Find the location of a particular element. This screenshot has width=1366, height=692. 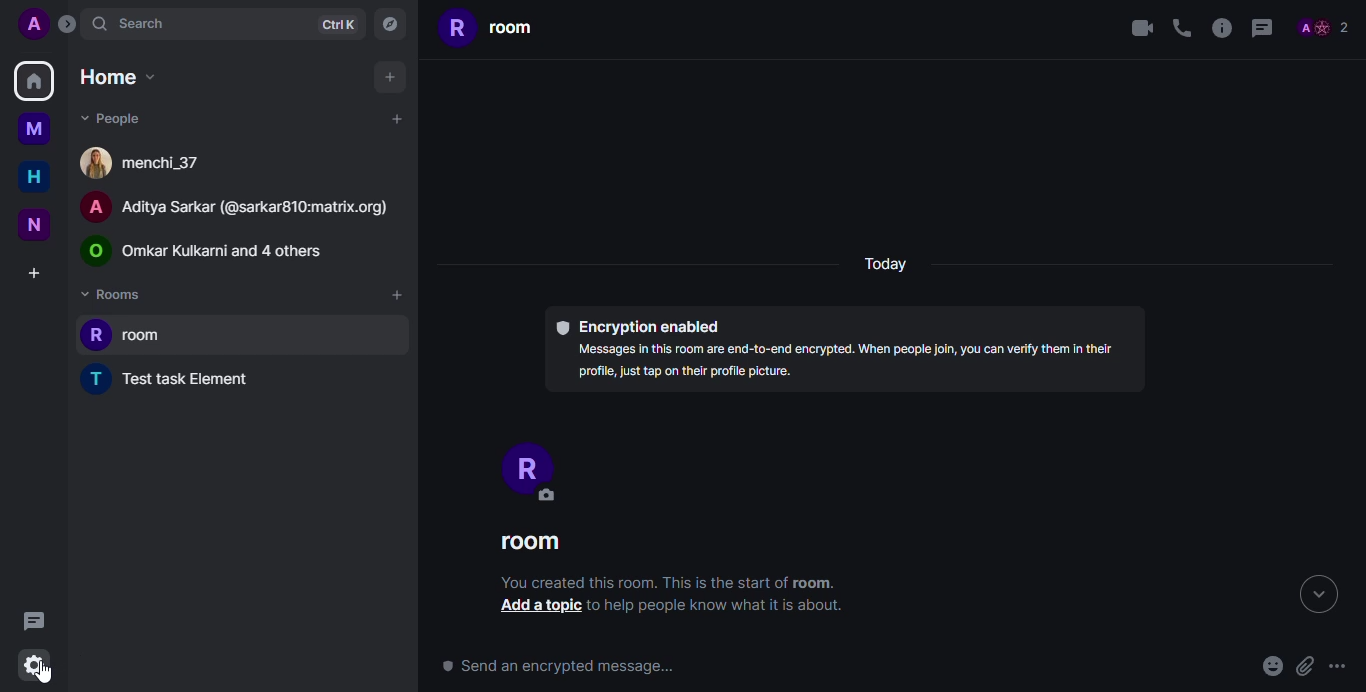

create a space is located at coordinates (33, 272).